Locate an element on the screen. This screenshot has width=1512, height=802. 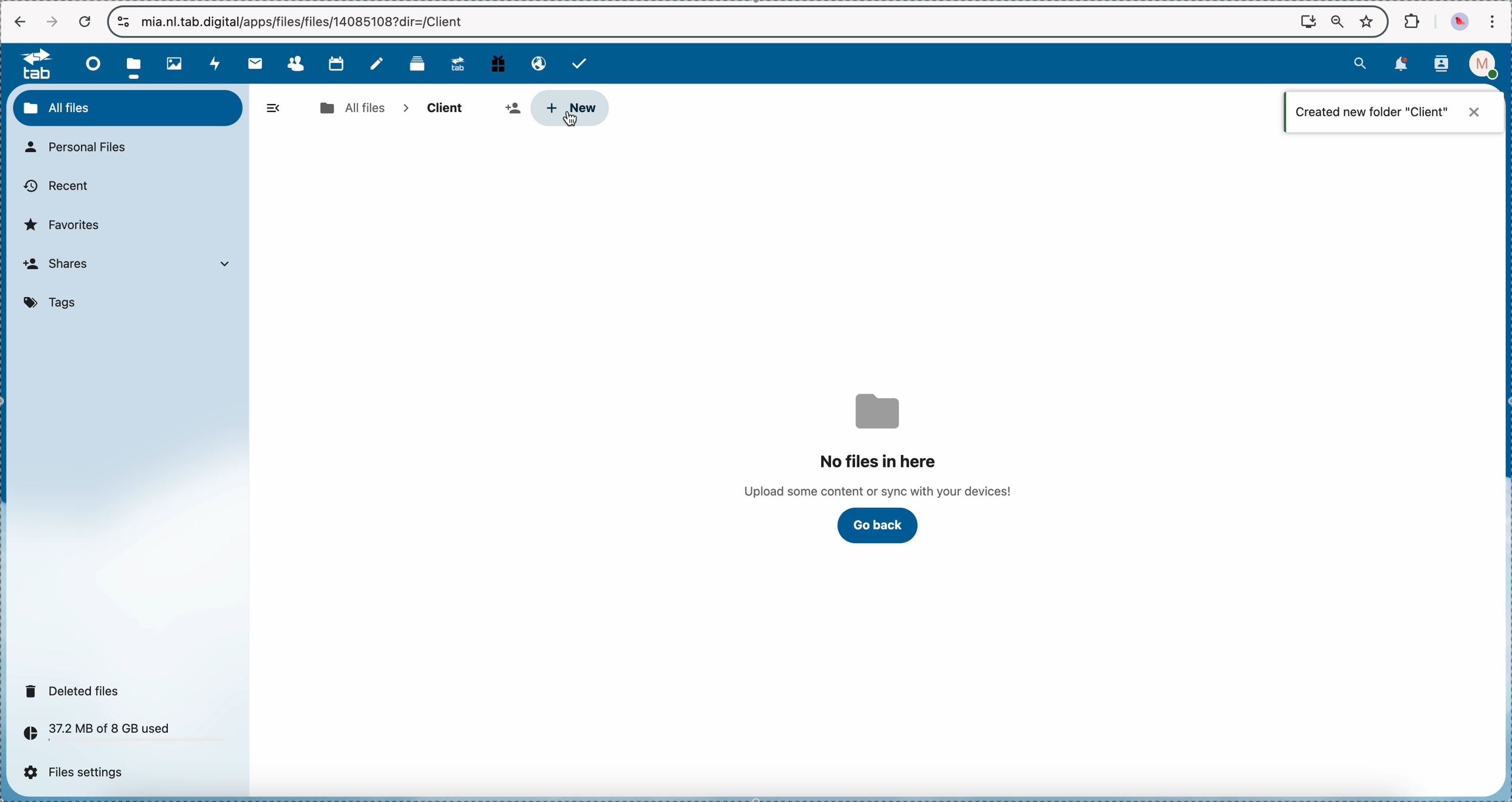
contacts is located at coordinates (295, 64).